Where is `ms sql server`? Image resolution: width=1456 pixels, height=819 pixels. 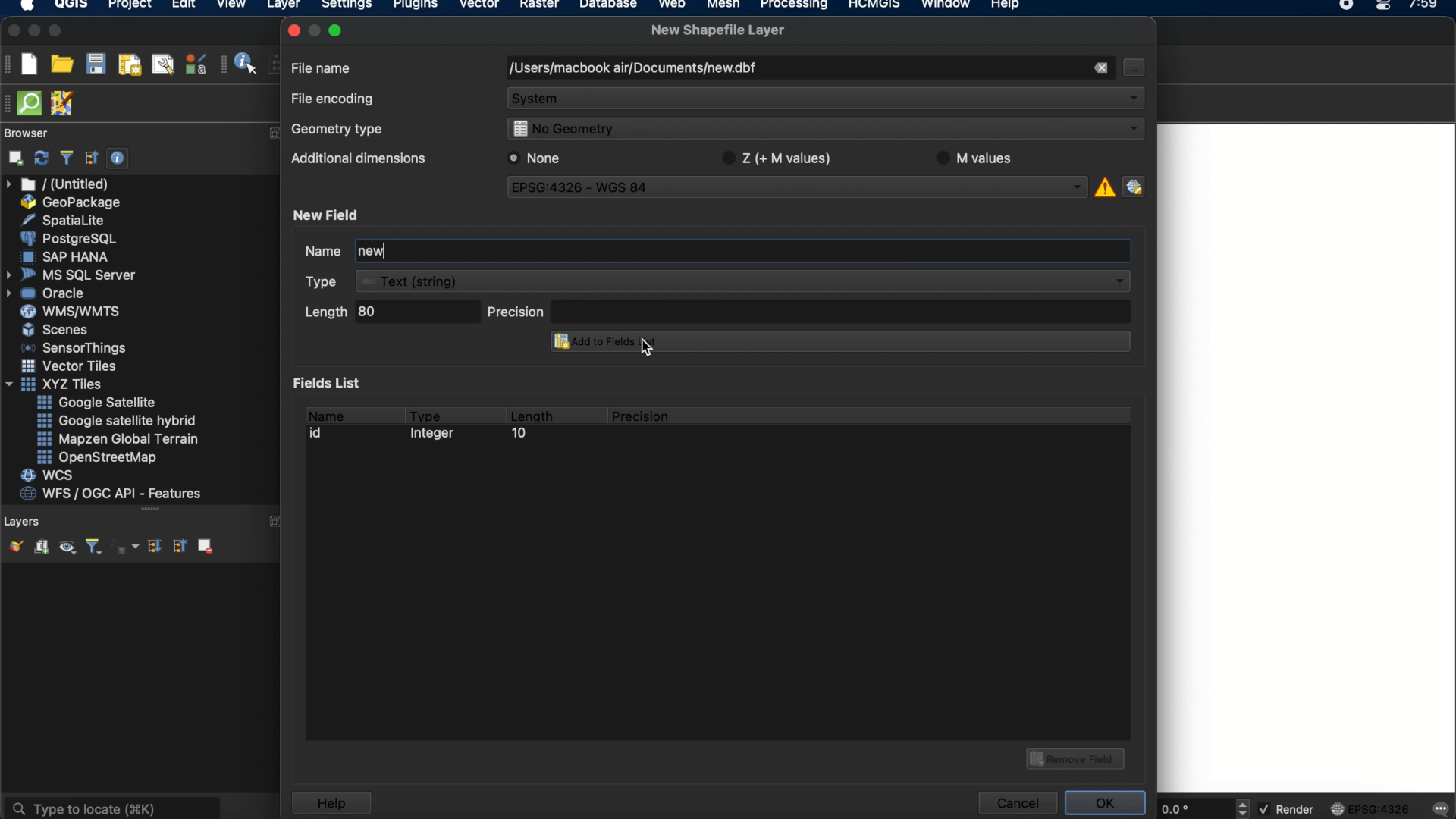
ms sql server is located at coordinates (74, 274).